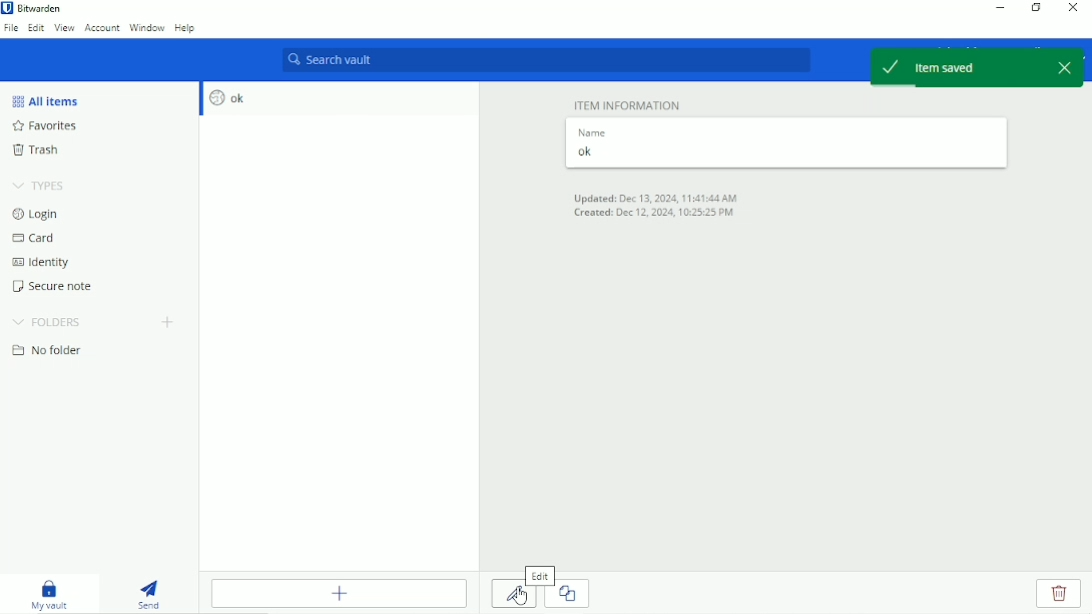 The height and width of the screenshot is (614, 1092). Describe the element at coordinates (147, 28) in the screenshot. I see `Window` at that location.